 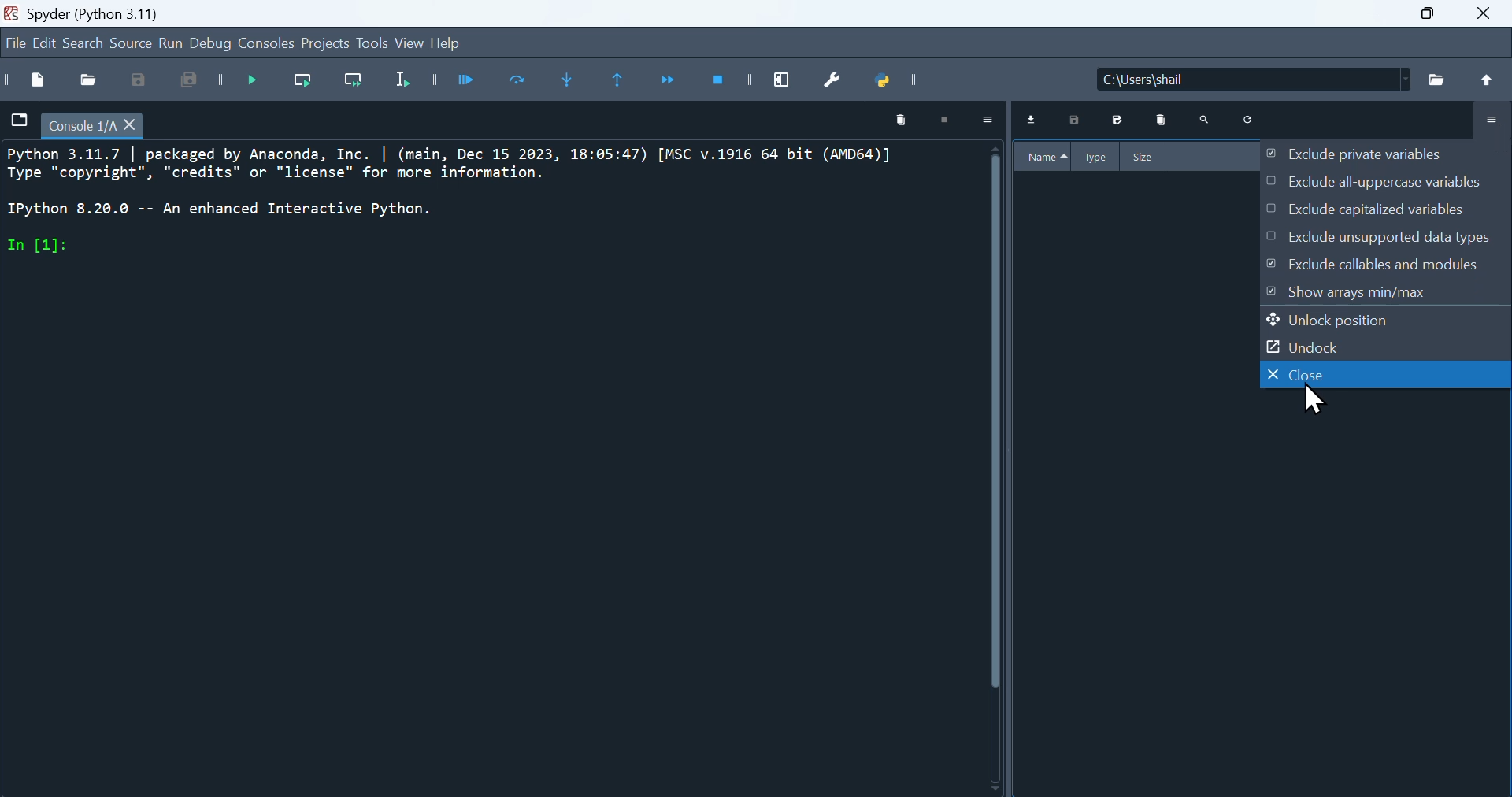 I want to click on source, so click(x=128, y=45).